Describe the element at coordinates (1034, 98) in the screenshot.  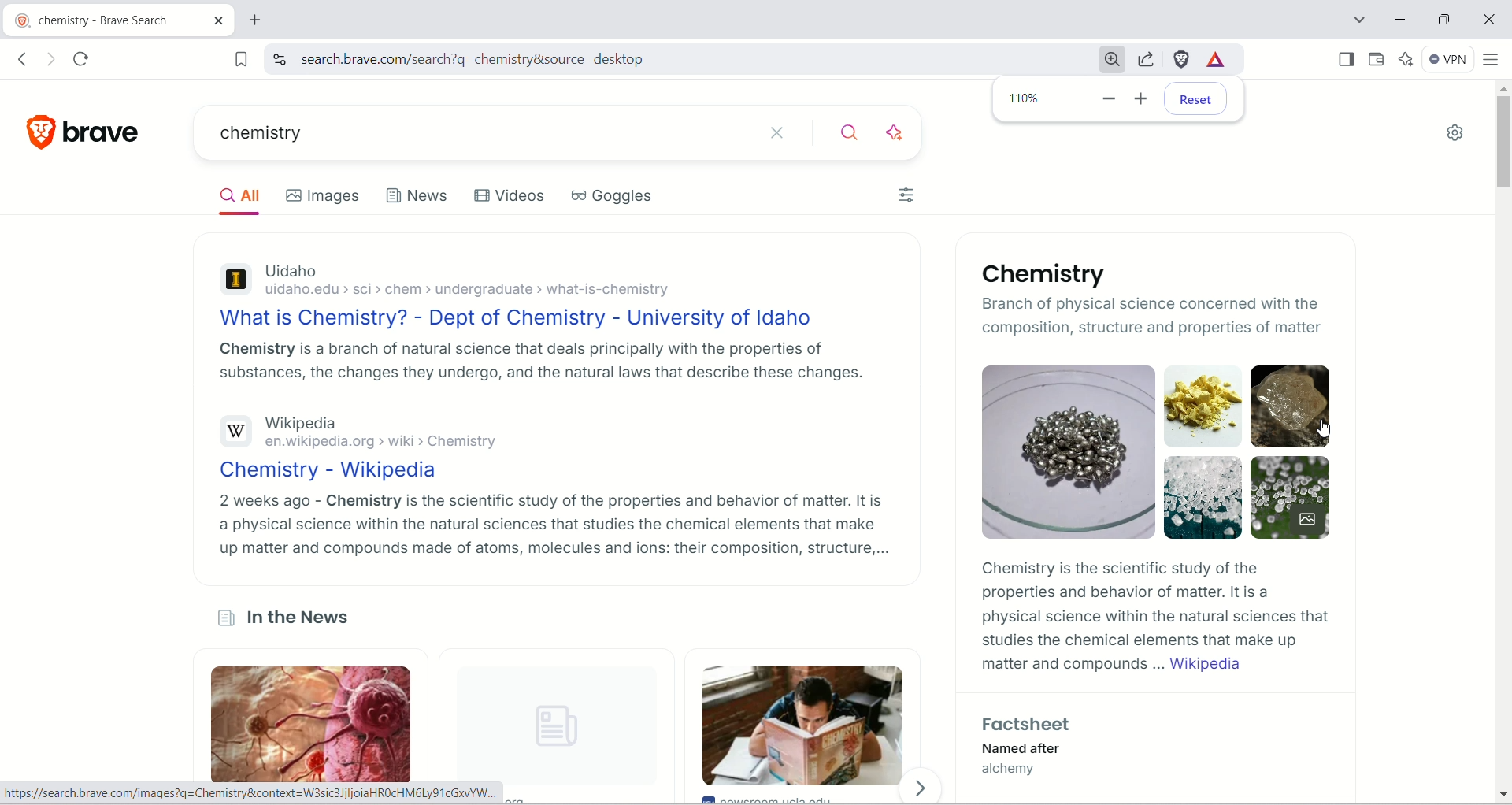
I see `110% zoomed in` at that location.